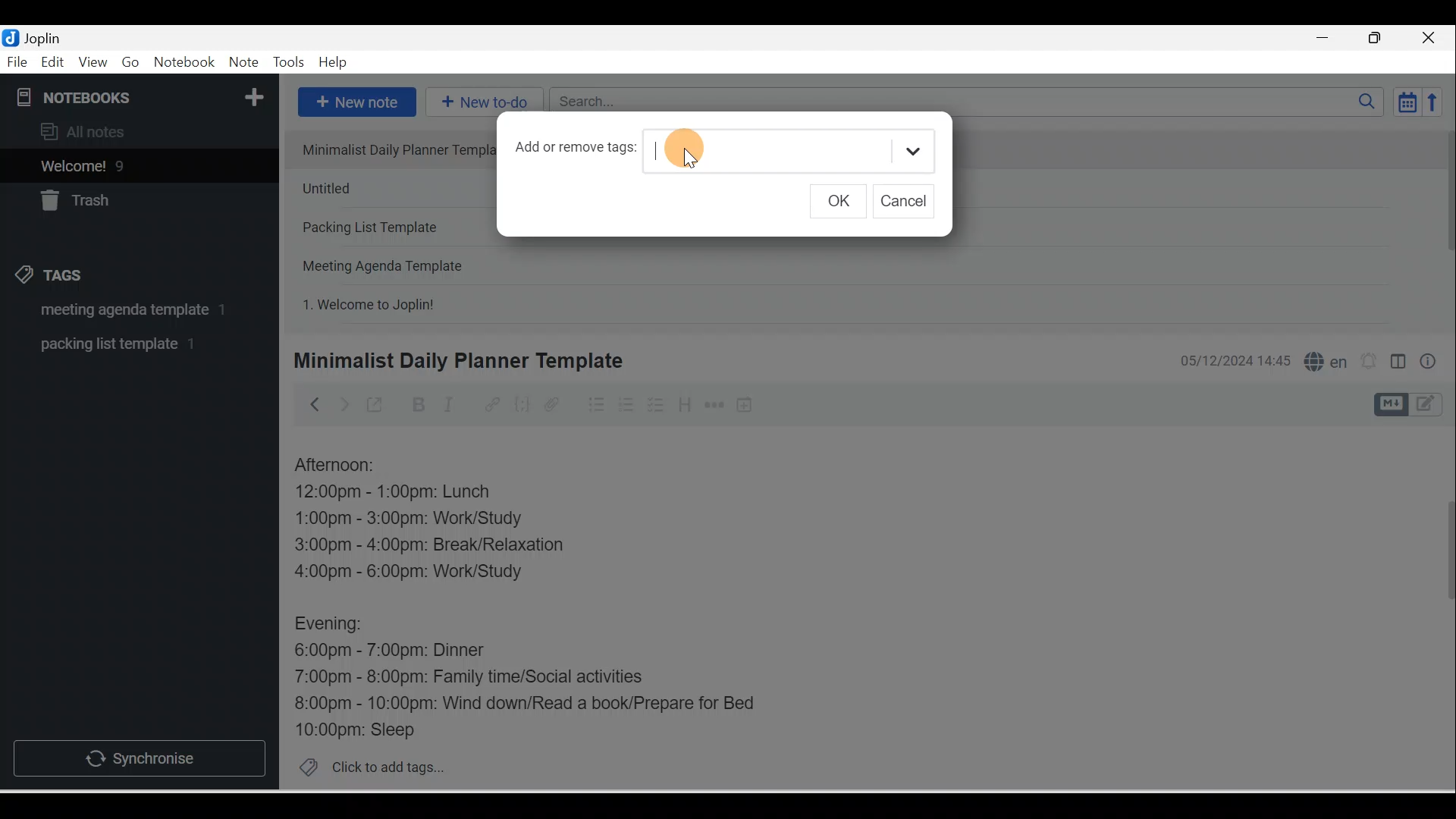 This screenshot has width=1456, height=819. Describe the element at coordinates (480, 679) in the screenshot. I see `7:00pm - 8:00pm: Family time/Social activities` at that location.